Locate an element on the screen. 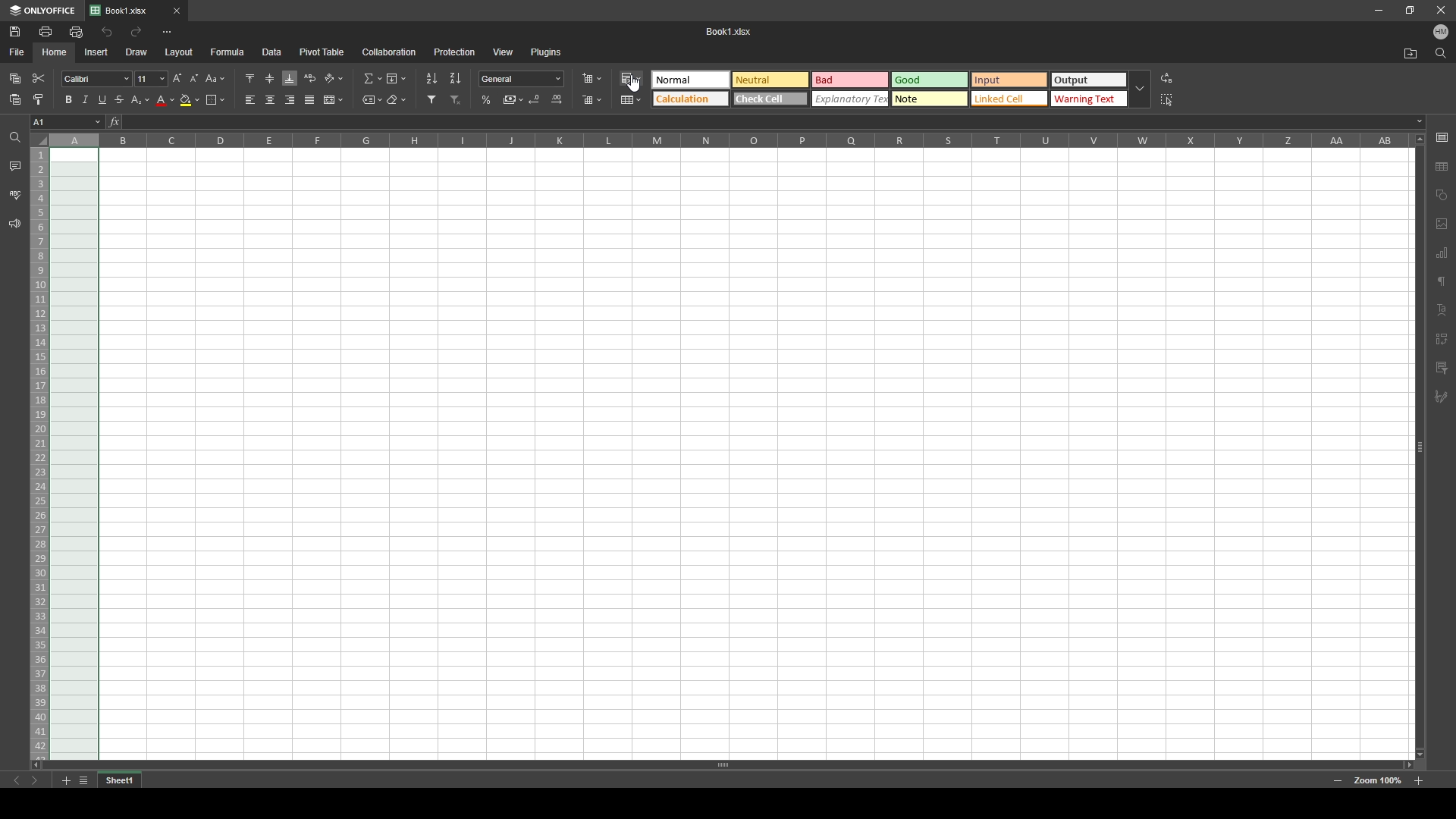 This screenshot has width=1456, height=819. find is located at coordinates (1441, 54).